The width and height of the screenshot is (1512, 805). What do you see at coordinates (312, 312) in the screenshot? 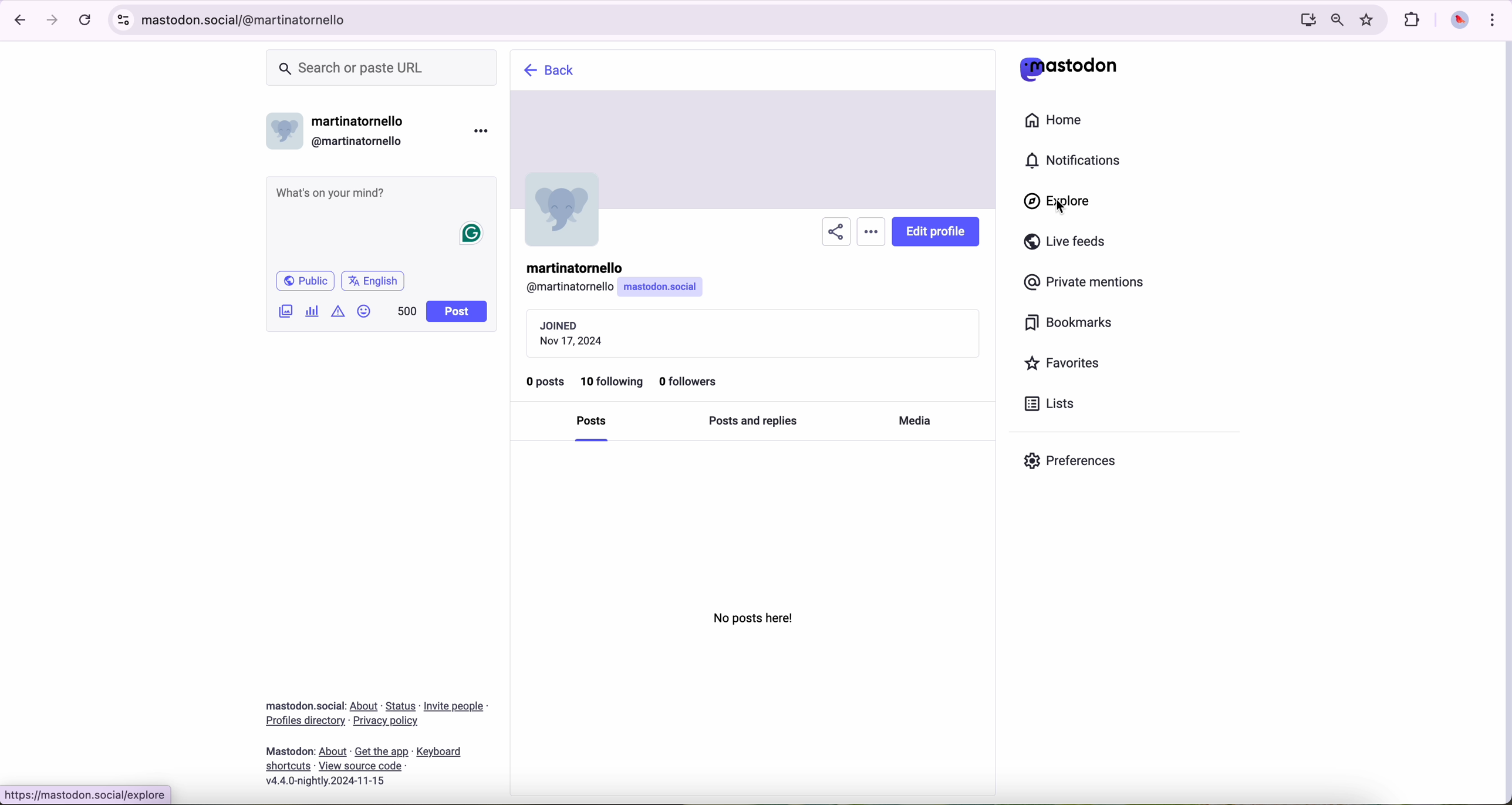
I see `chart` at bounding box center [312, 312].